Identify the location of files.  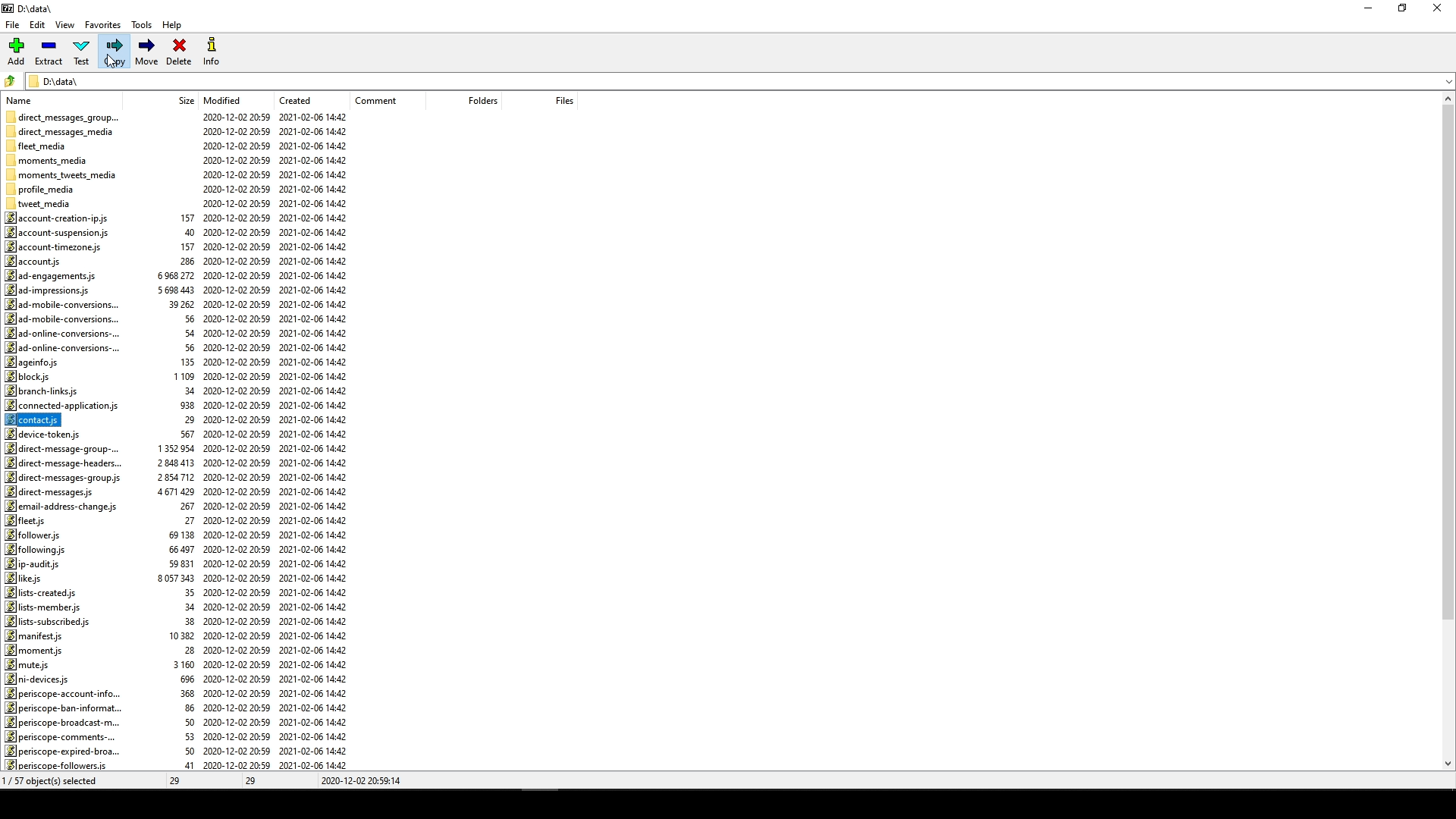
(554, 99).